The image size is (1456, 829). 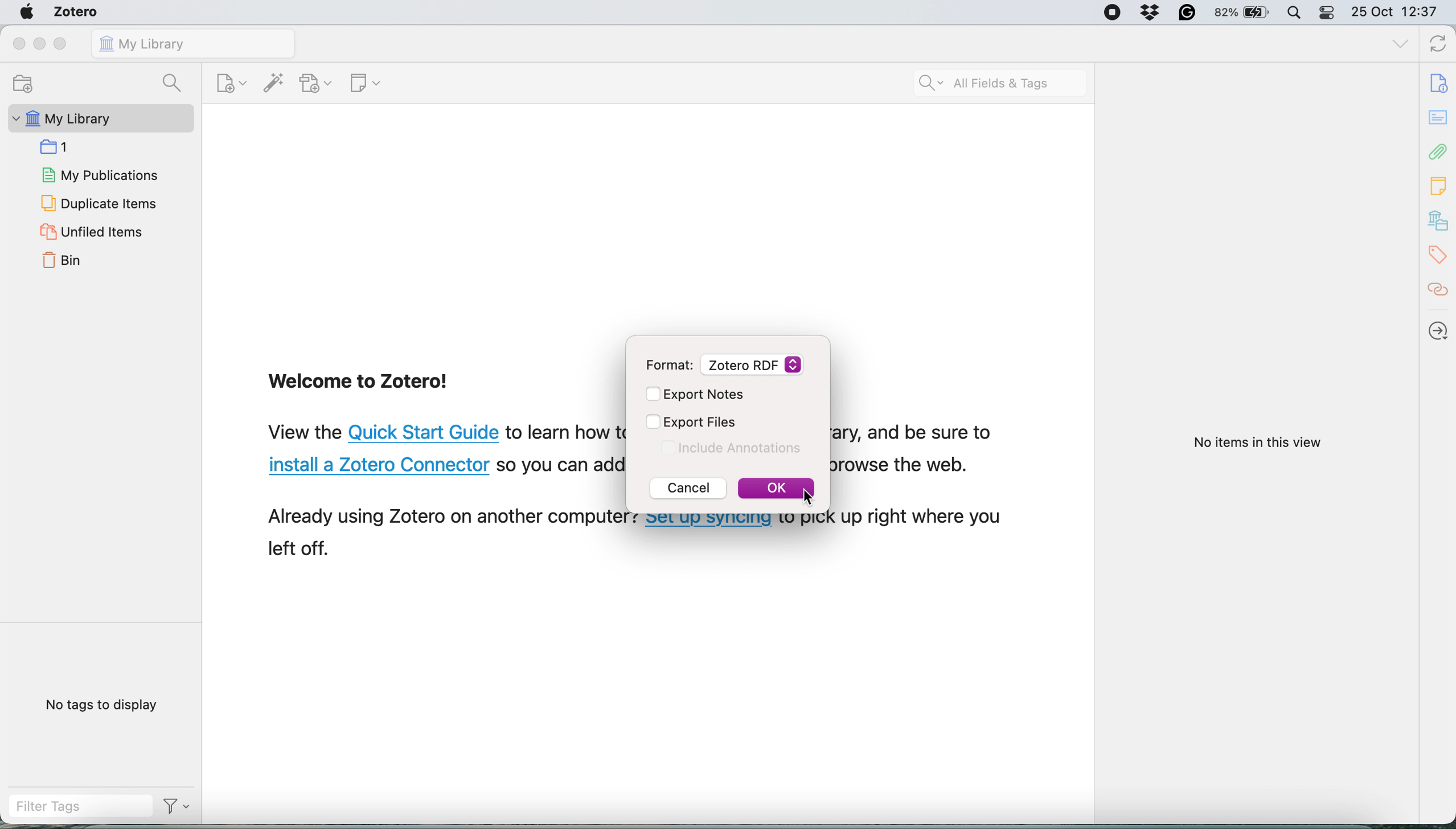 What do you see at coordinates (1185, 12) in the screenshot?
I see `Grammarly` at bounding box center [1185, 12].